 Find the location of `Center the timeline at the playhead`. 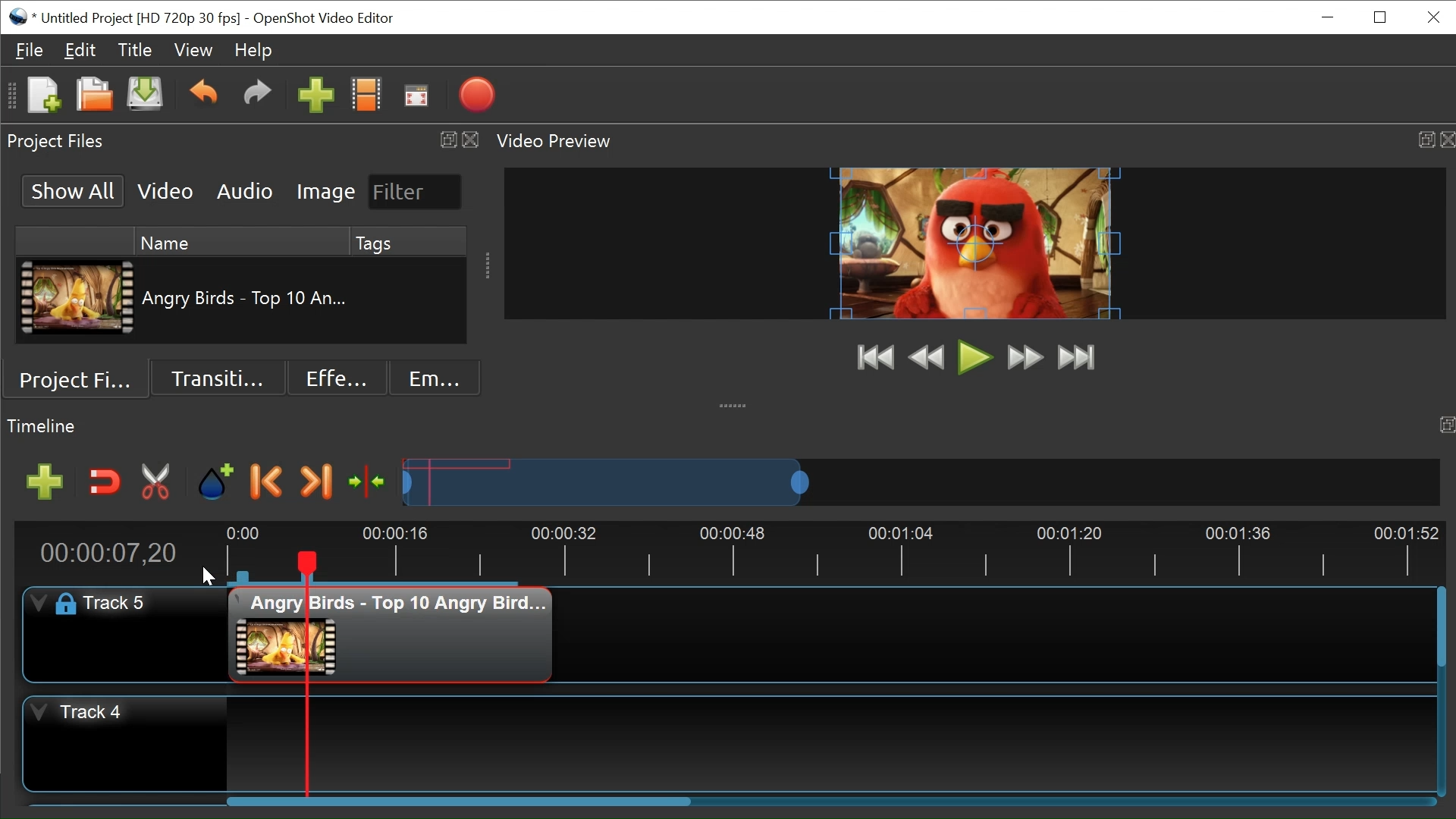

Center the timeline at the playhead is located at coordinates (369, 483).